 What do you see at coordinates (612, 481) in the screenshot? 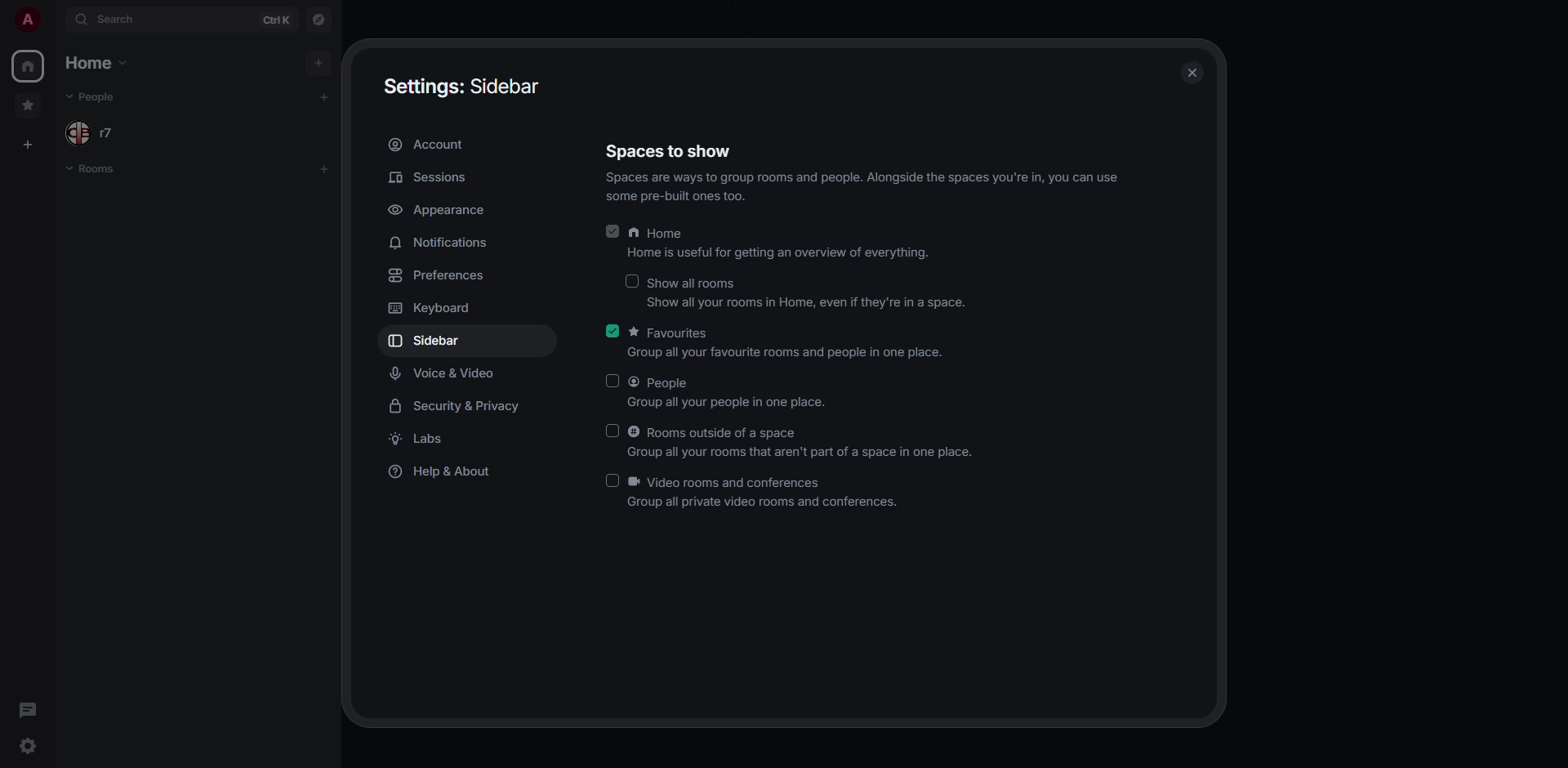
I see `click to enable` at bounding box center [612, 481].